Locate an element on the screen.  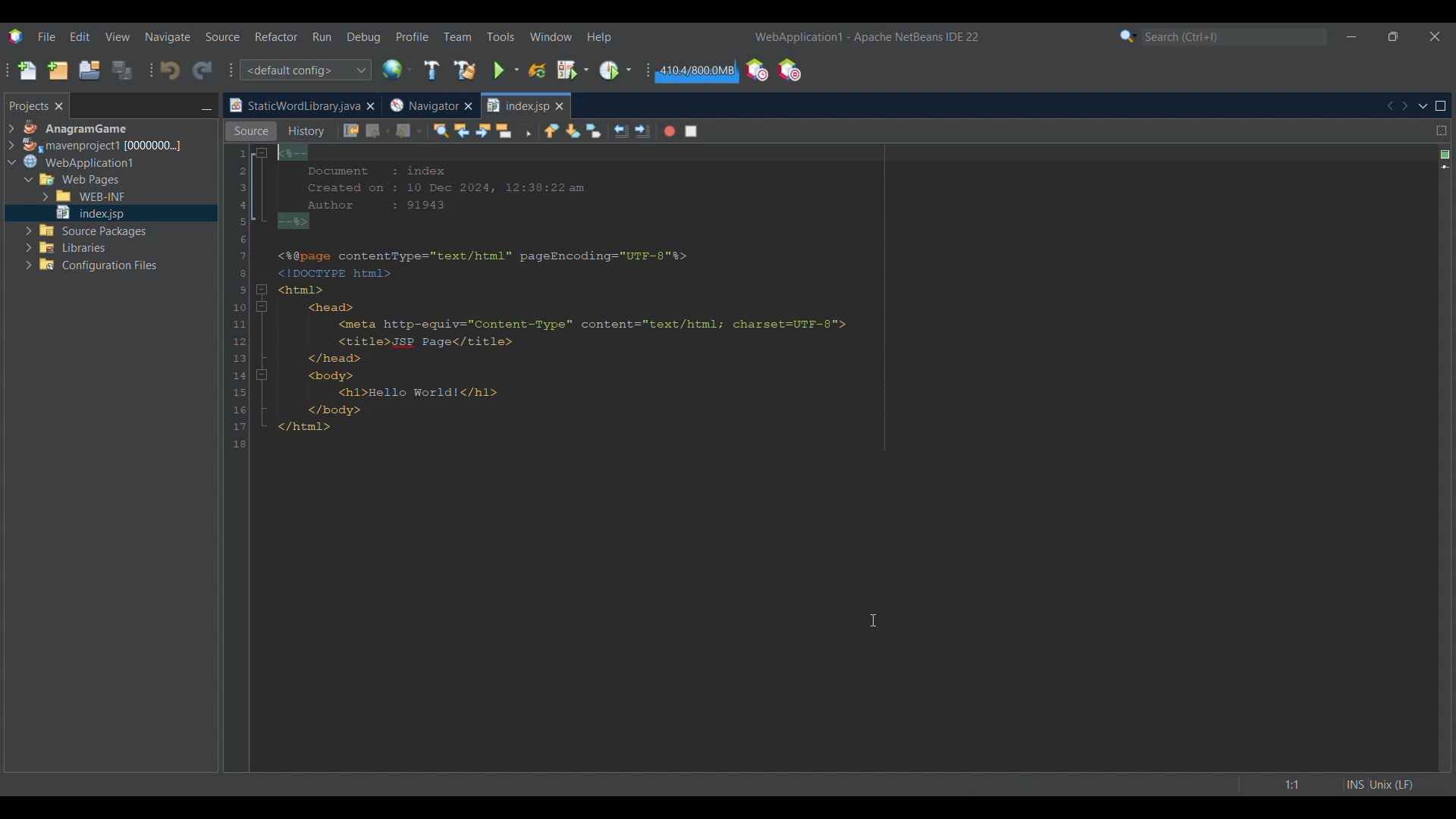
Current tab highlighted is located at coordinates (517, 106).